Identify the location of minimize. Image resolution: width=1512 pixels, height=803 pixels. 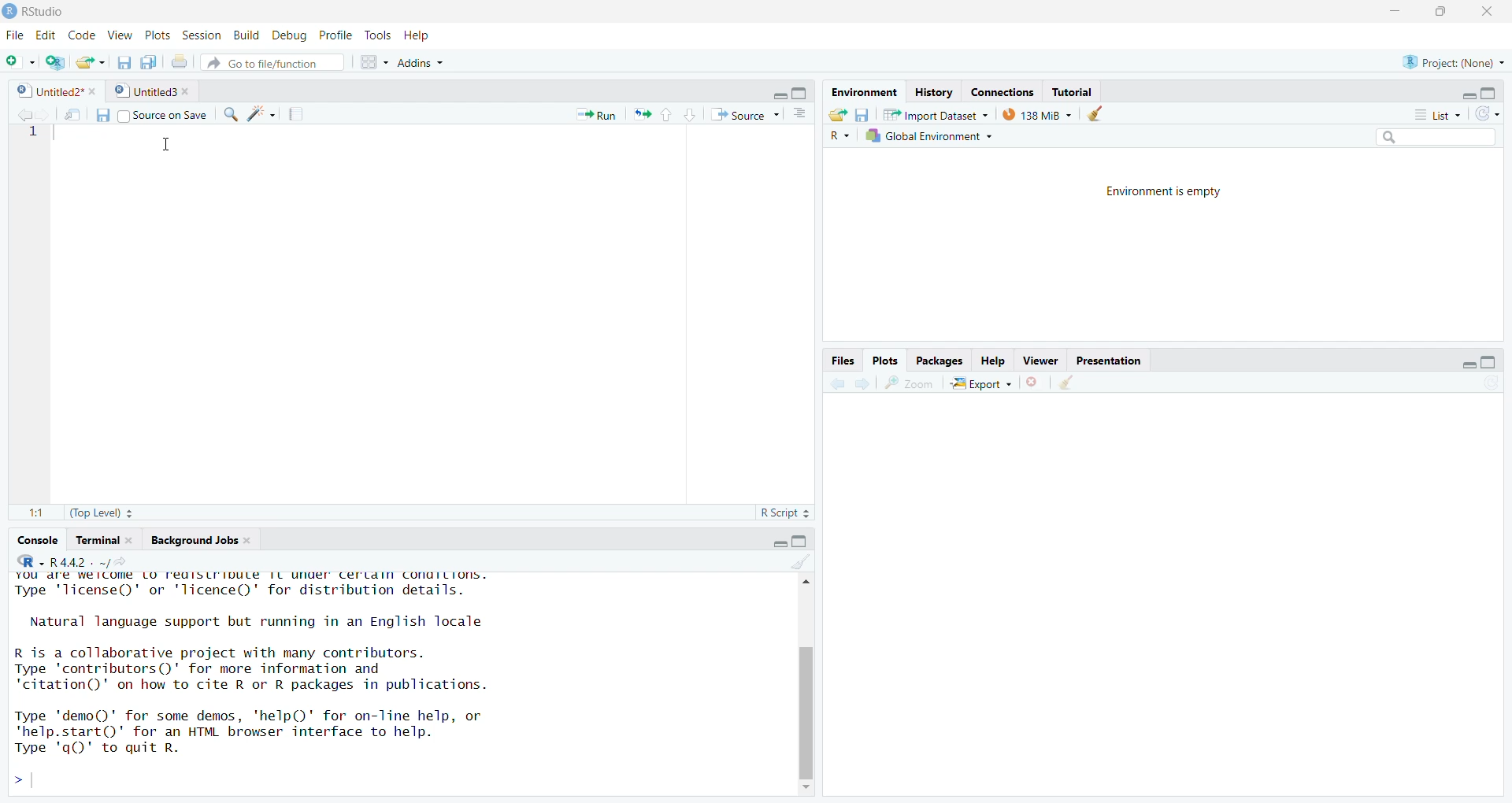
(1392, 11).